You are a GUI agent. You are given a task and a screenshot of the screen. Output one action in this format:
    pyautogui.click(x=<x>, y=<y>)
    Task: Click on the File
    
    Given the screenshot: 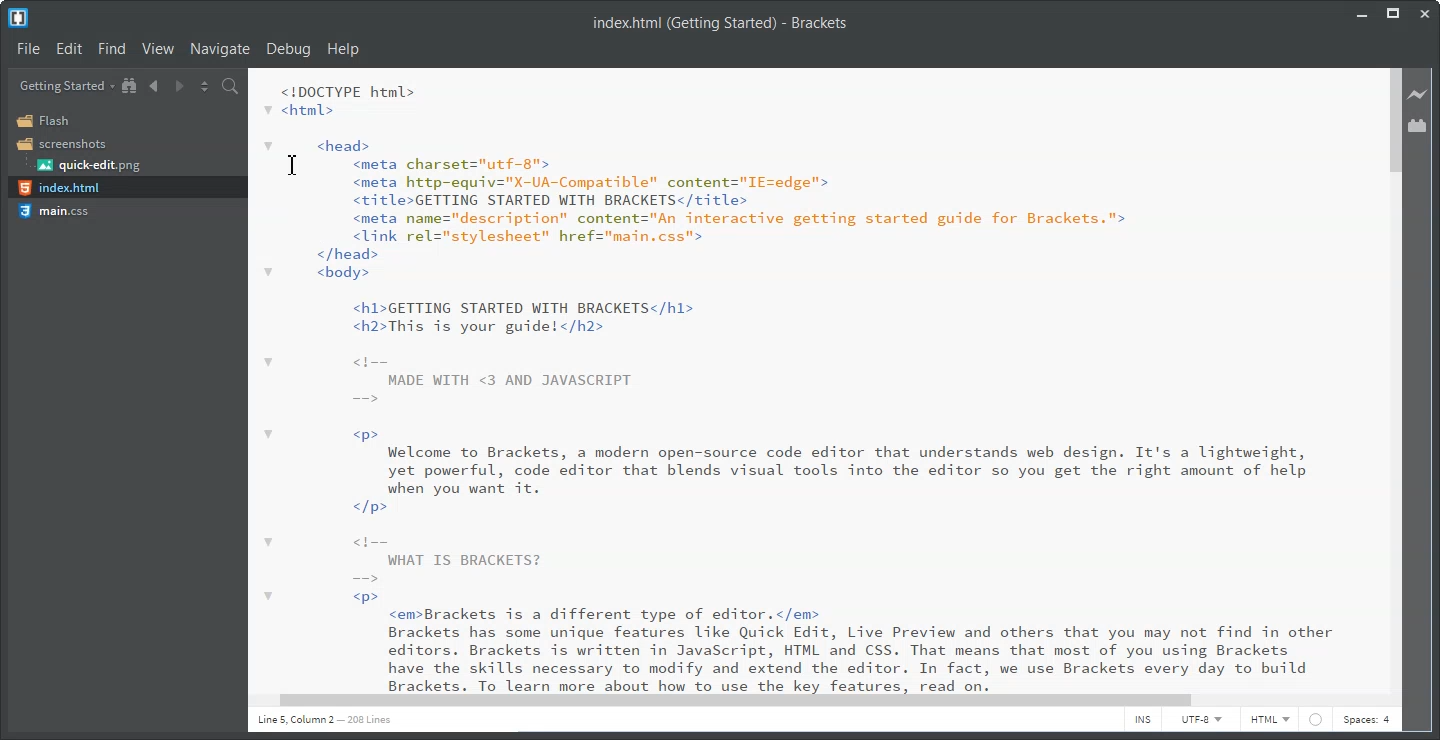 What is the action you would take?
    pyautogui.click(x=28, y=49)
    